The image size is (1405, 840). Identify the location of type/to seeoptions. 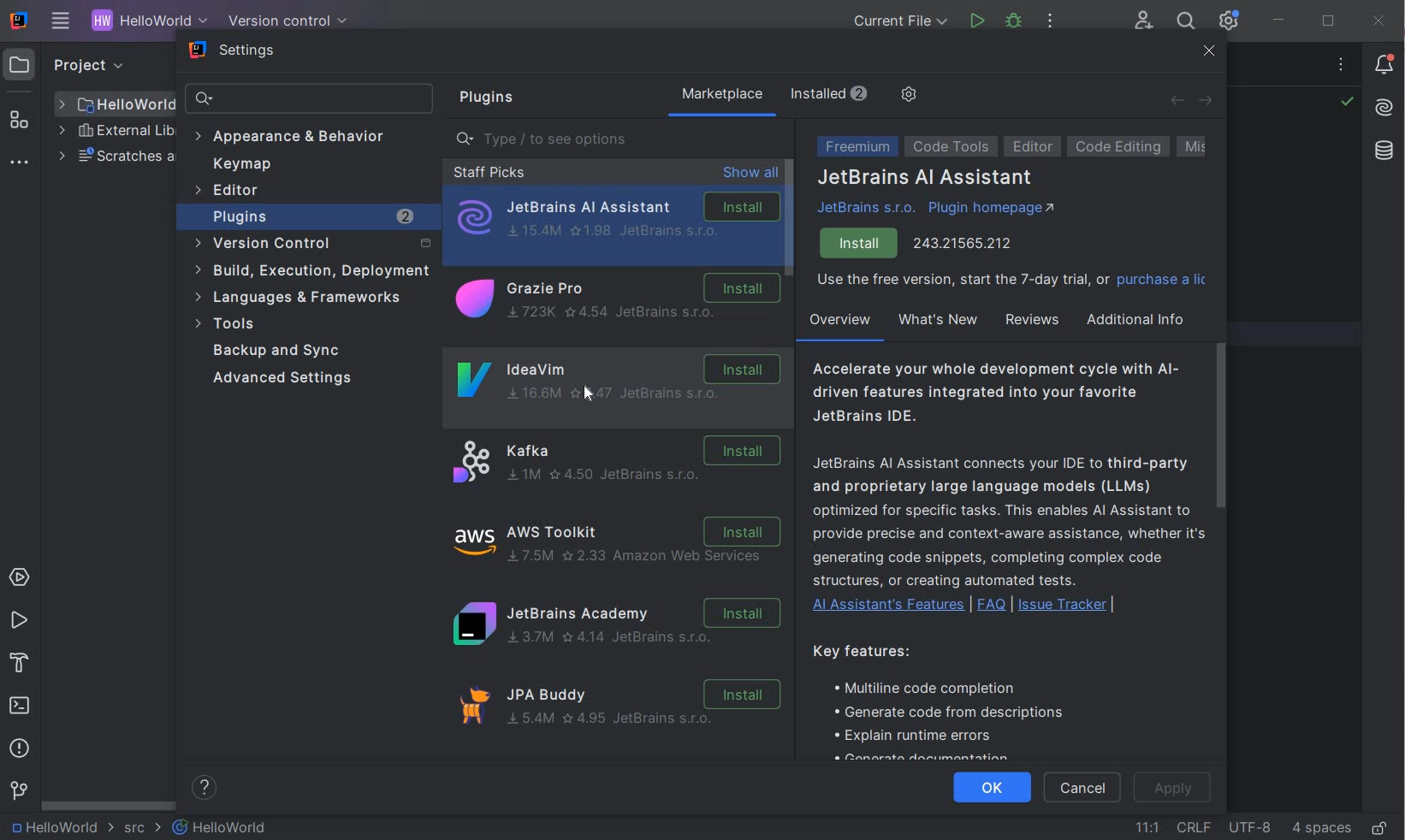
(620, 139).